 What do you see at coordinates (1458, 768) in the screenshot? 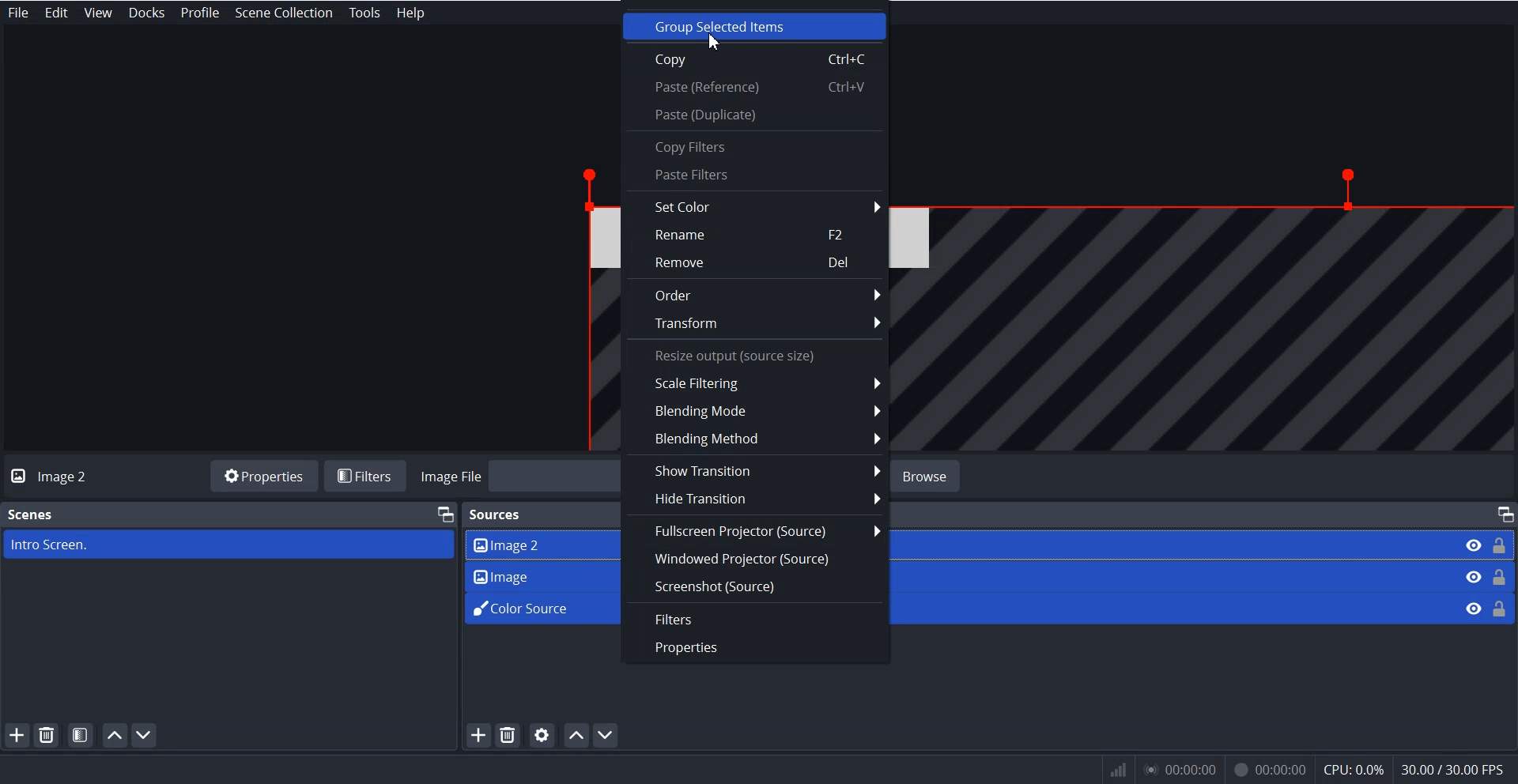
I see `30.007 30.00 EPs` at bounding box center [1458, 768].